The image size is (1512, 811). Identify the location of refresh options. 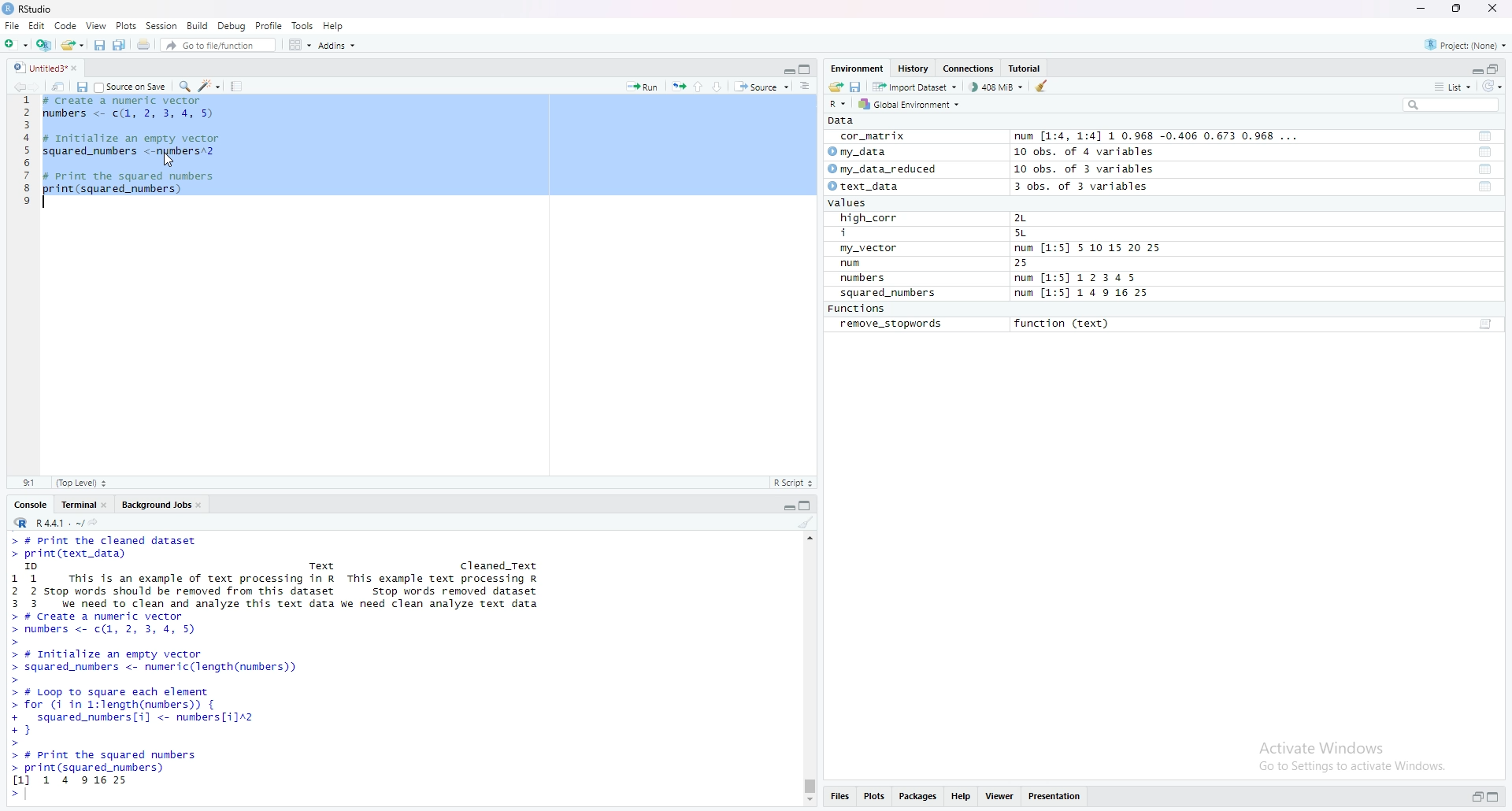
(1492, 87).